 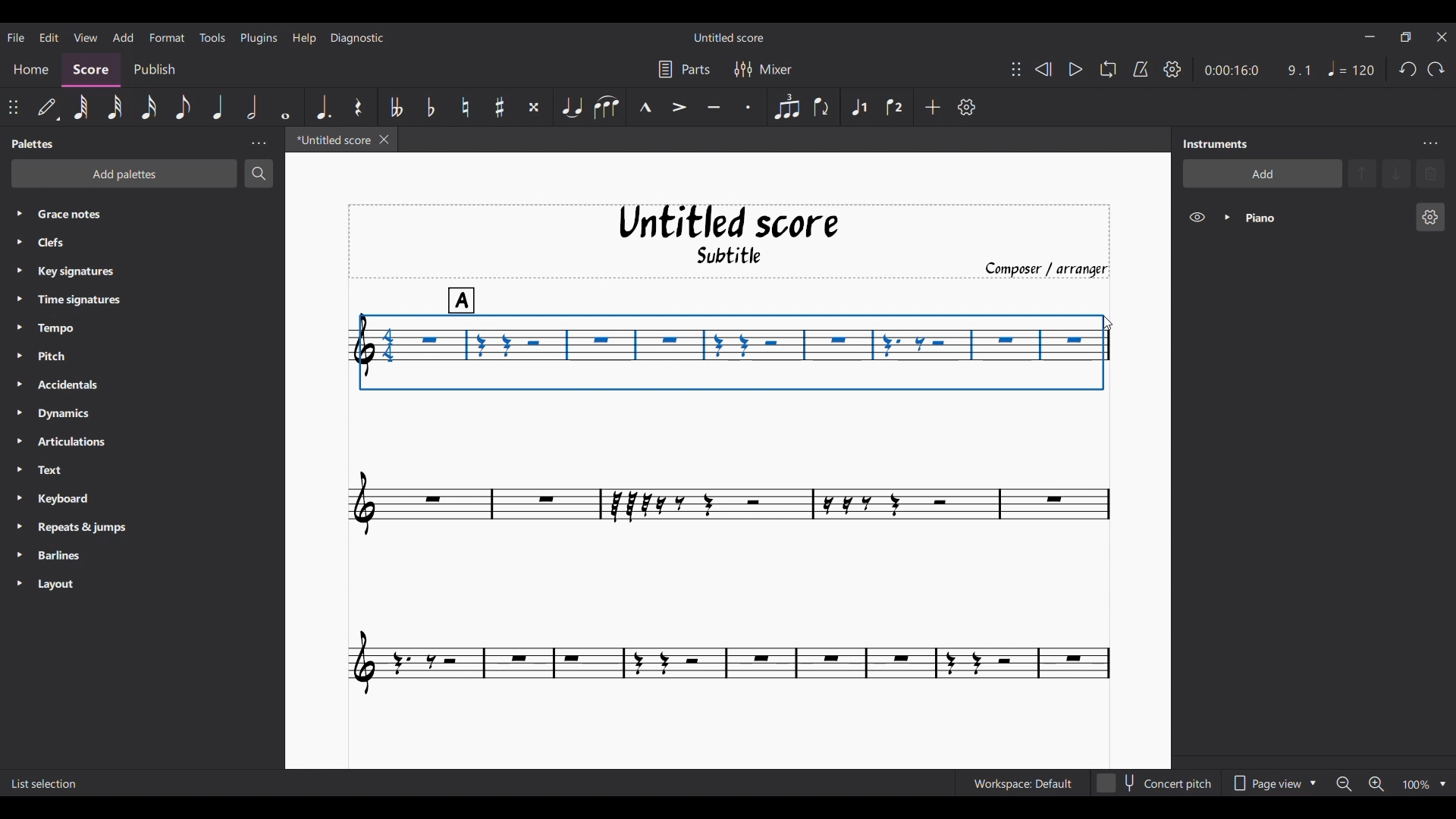 What do you see at coordinates (747, 107) in the screenshot?
I see `Staccato` at bounding box center [747, 107].